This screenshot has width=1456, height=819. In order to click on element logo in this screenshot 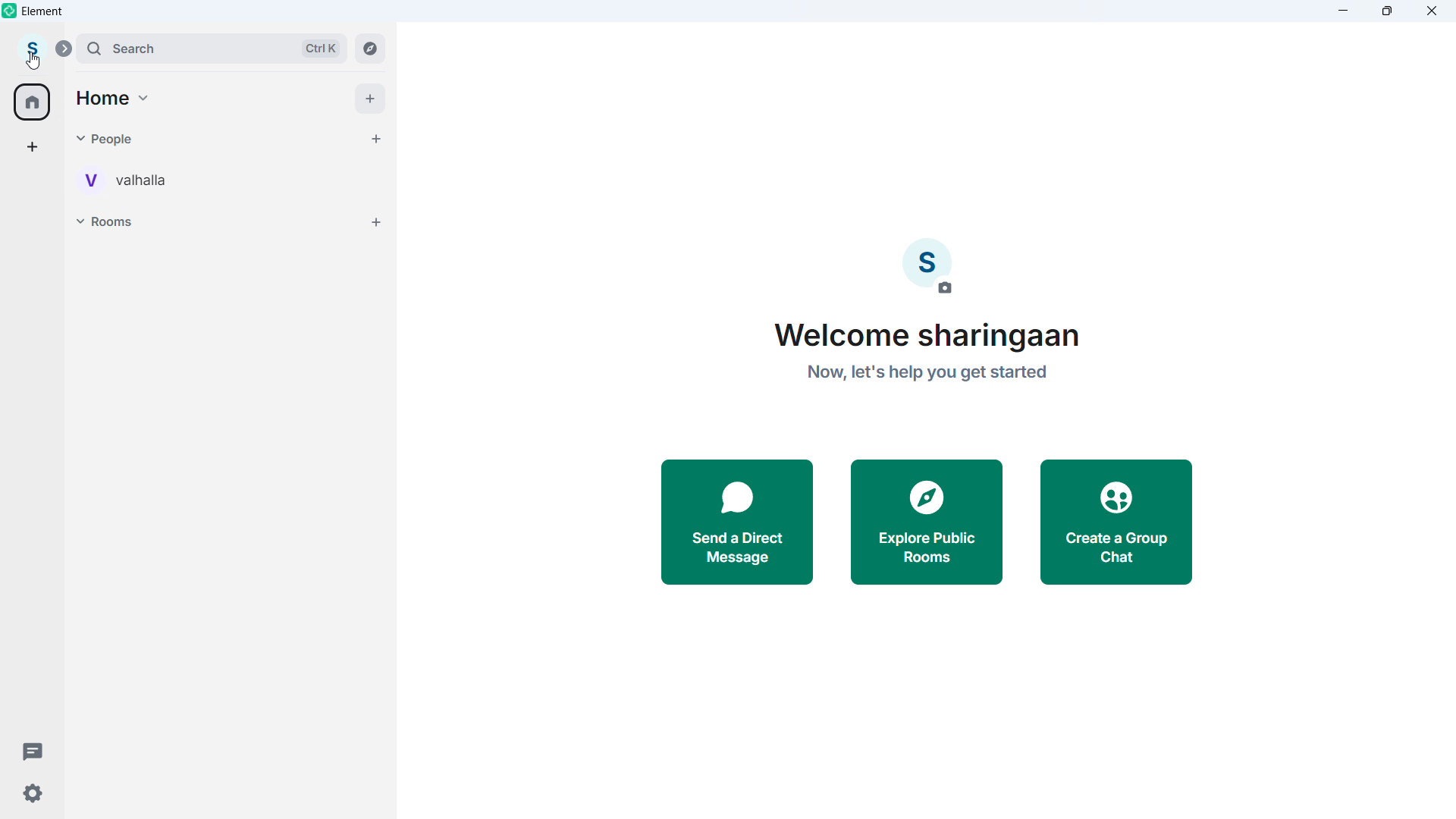, I will do `click(11, 11)`.